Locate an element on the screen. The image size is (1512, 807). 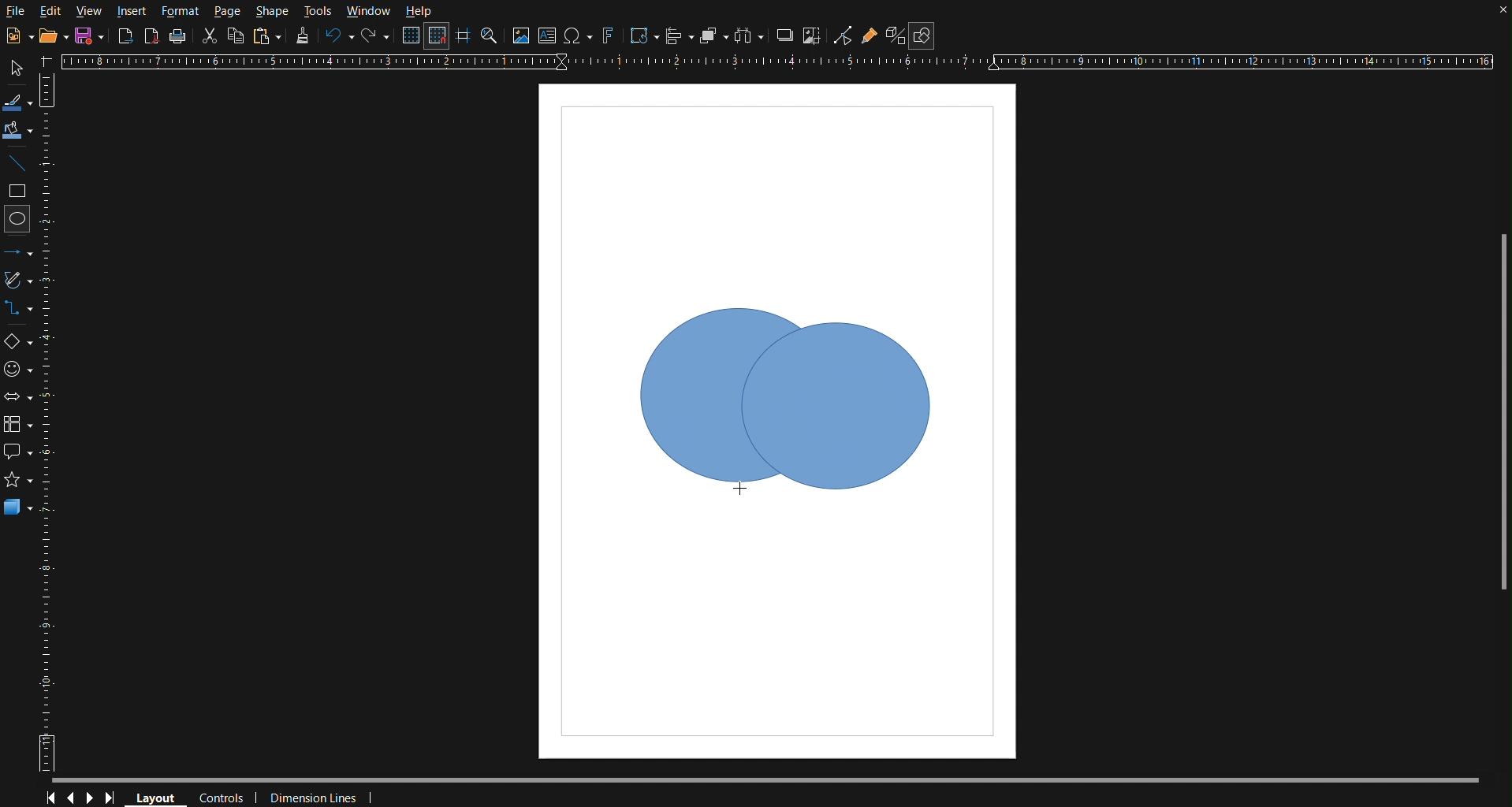
Textbox is located at coordinates (549, 35).